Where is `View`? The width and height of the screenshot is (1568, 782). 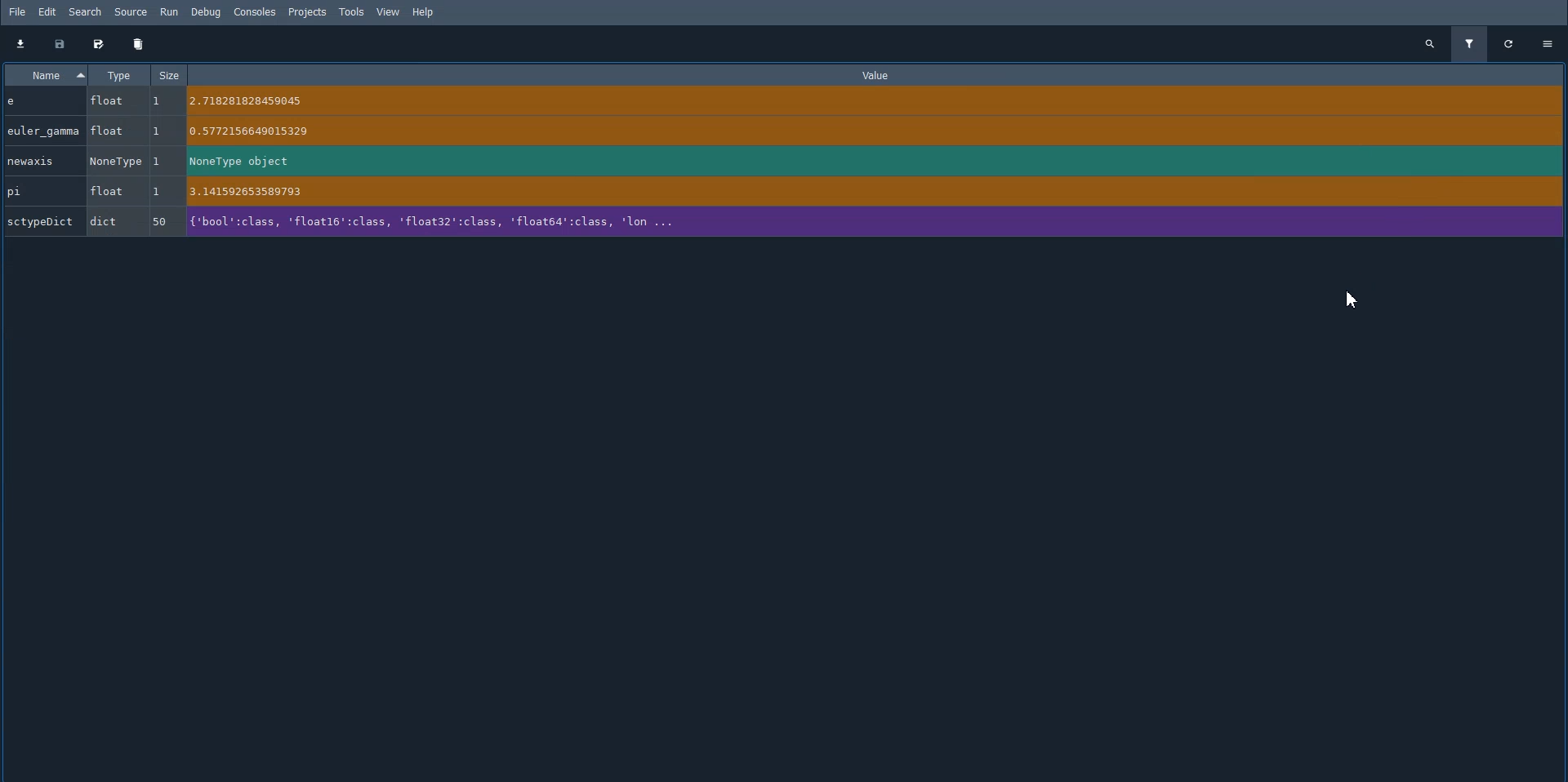 View is located at coordinates (388, 11).